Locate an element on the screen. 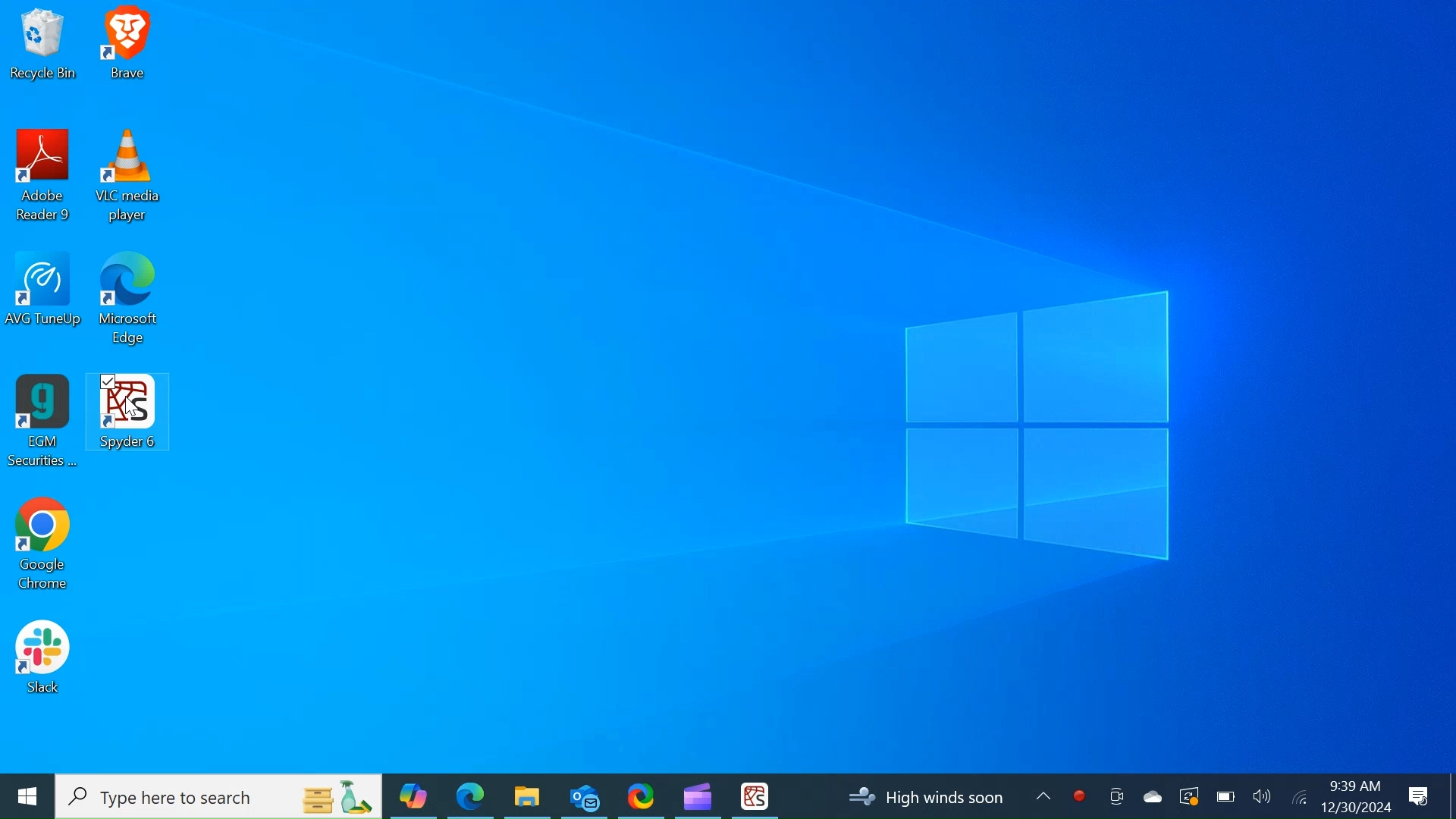  Cursor is located at coordinates (133, 410).